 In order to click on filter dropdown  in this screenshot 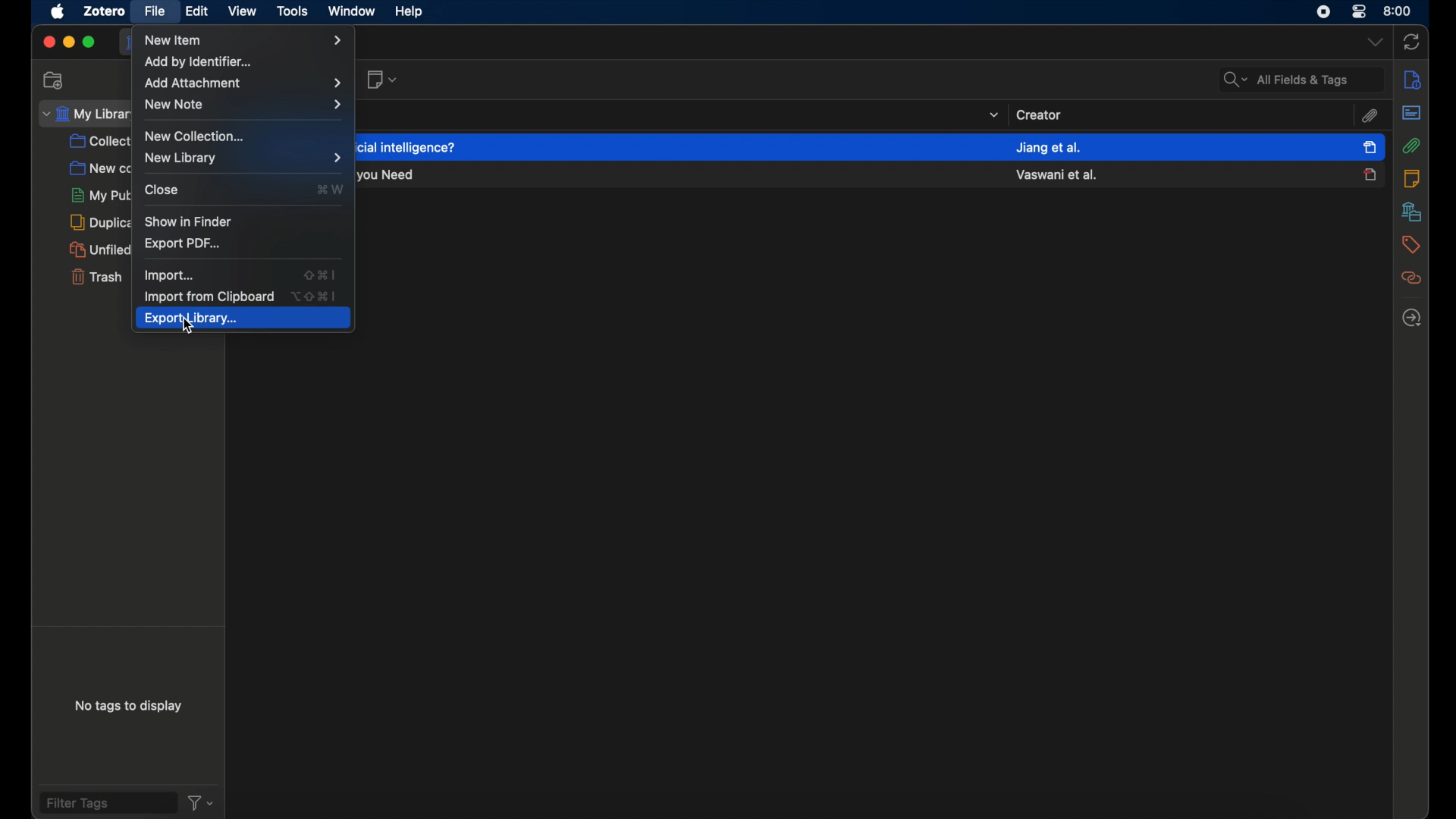, I will do `click(202, 802)`.